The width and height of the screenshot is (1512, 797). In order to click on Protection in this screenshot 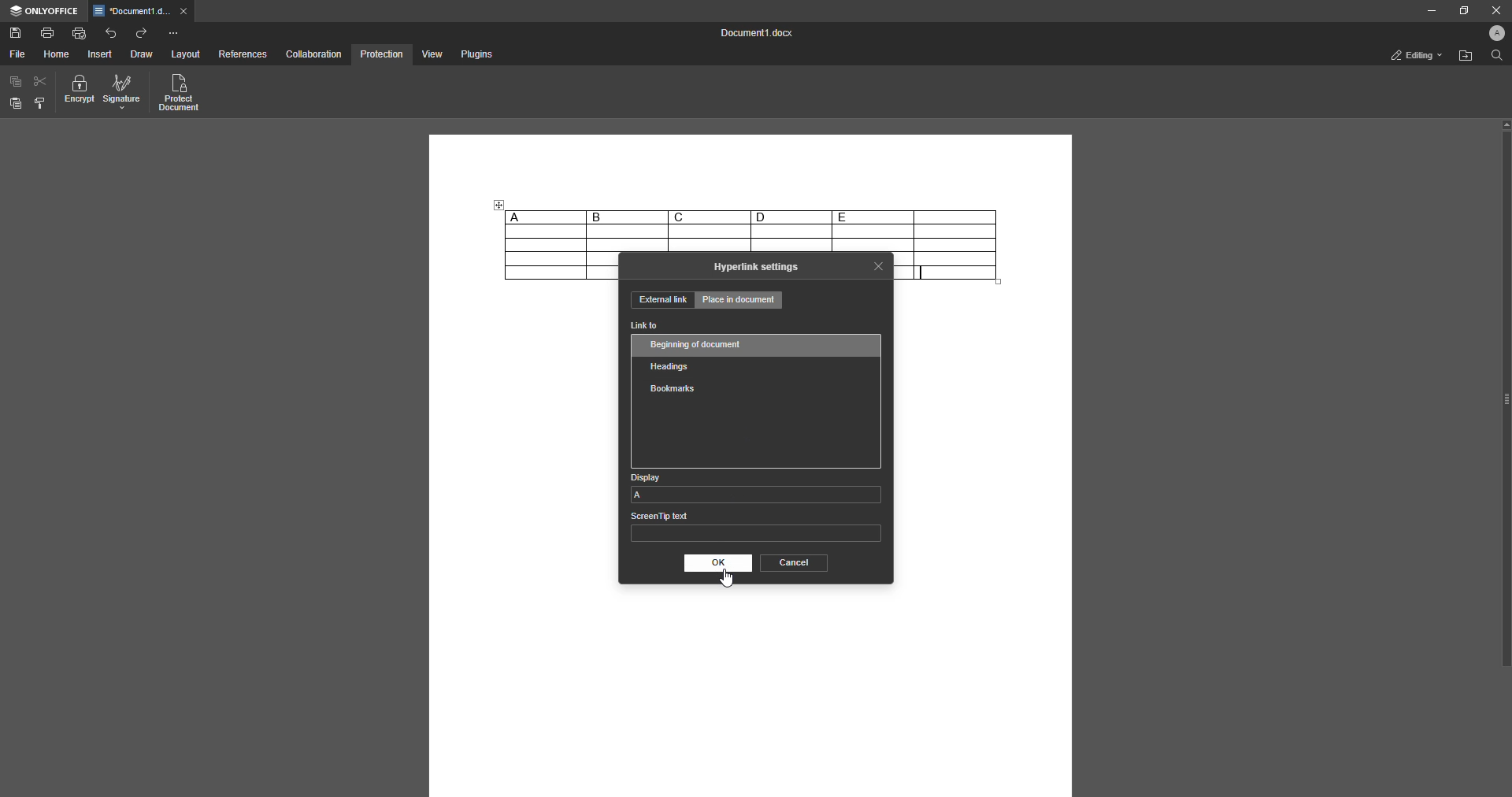, I will do `click(381, 54)`.